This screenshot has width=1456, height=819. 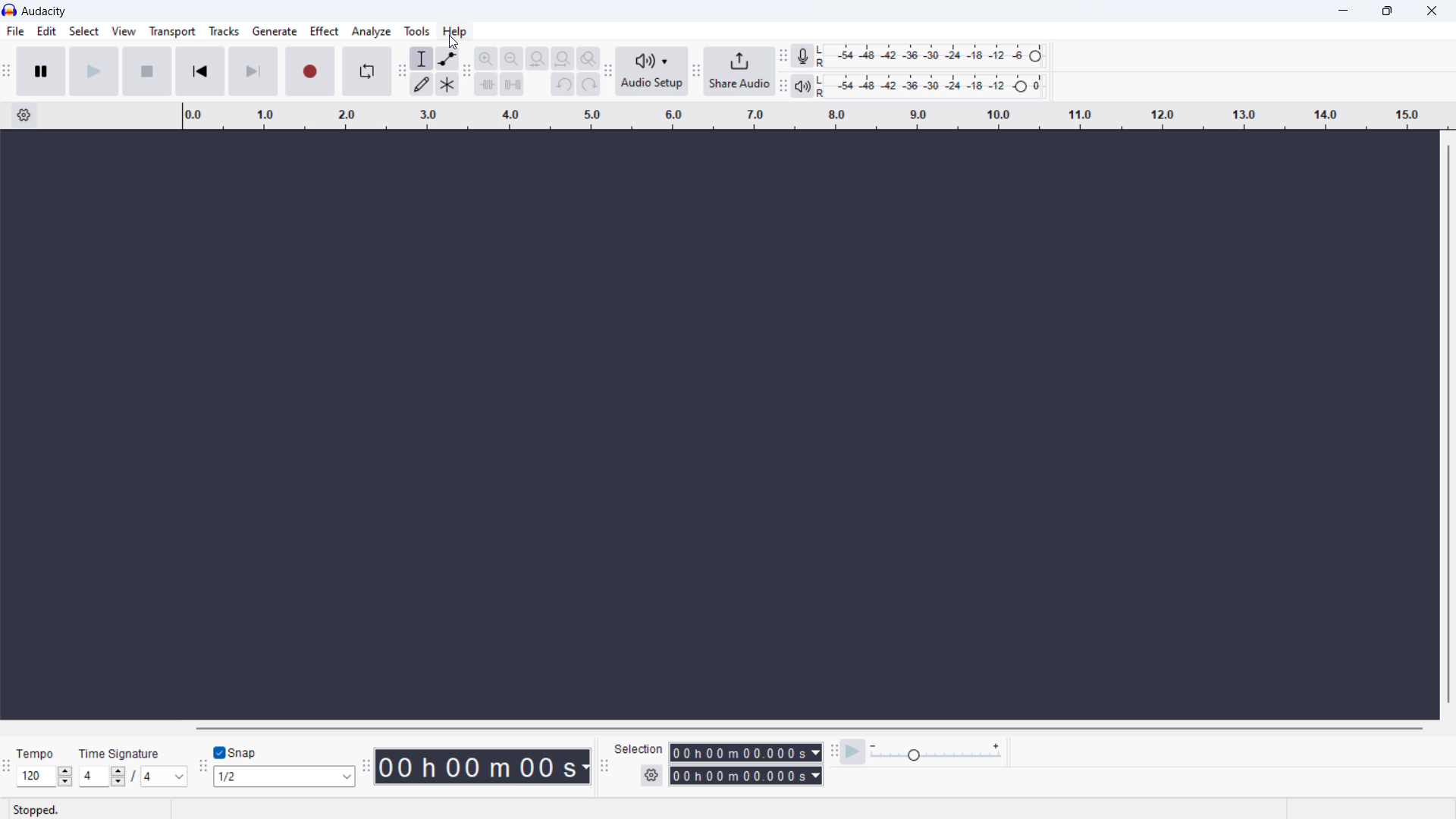 What do you see at coordinates (487, 58) in the screenshot?
I see `zoom in` at bounding box center [487, 58].